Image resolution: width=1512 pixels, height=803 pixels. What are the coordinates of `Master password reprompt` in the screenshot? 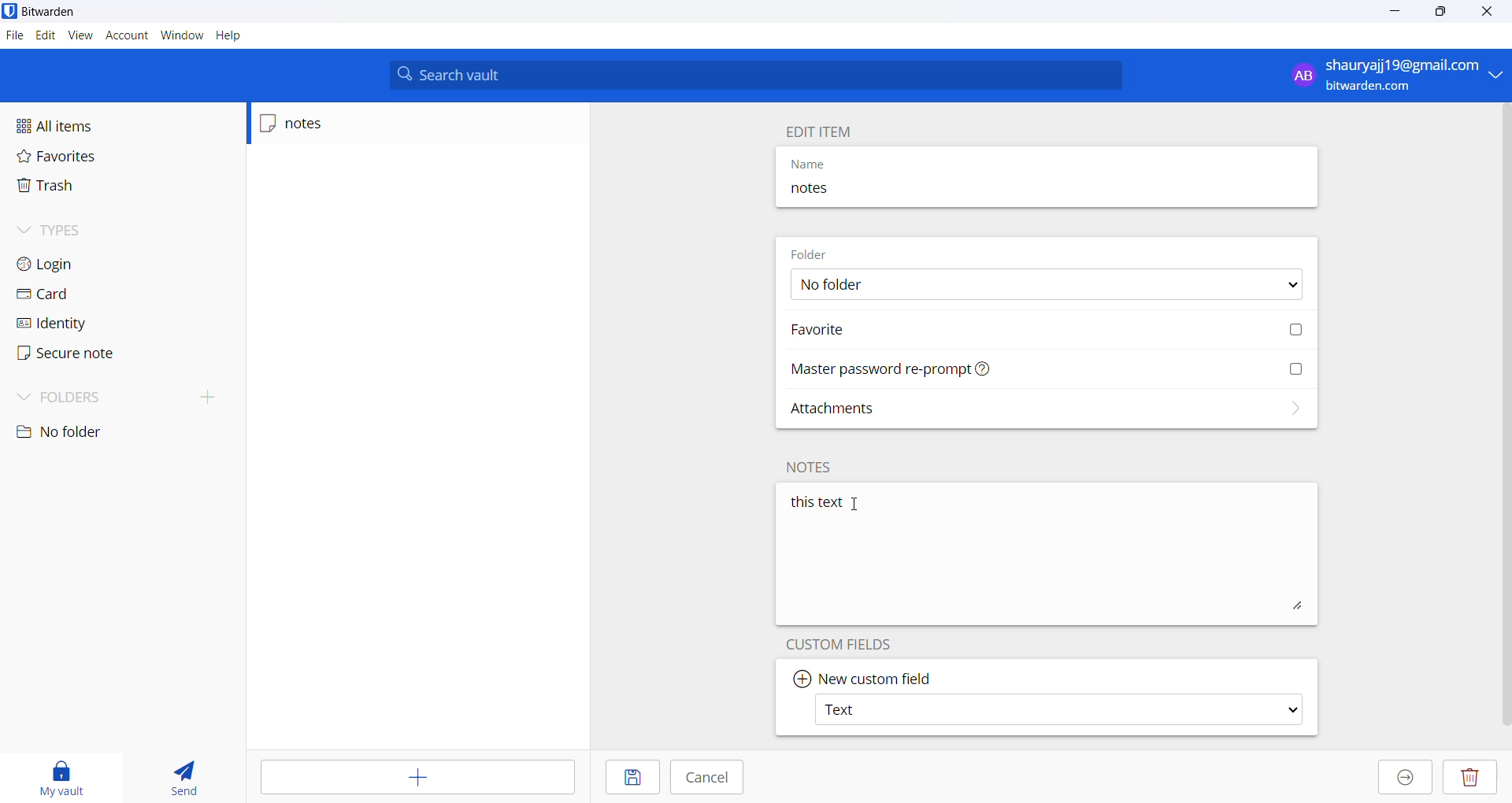 It's located at (1048, 369).